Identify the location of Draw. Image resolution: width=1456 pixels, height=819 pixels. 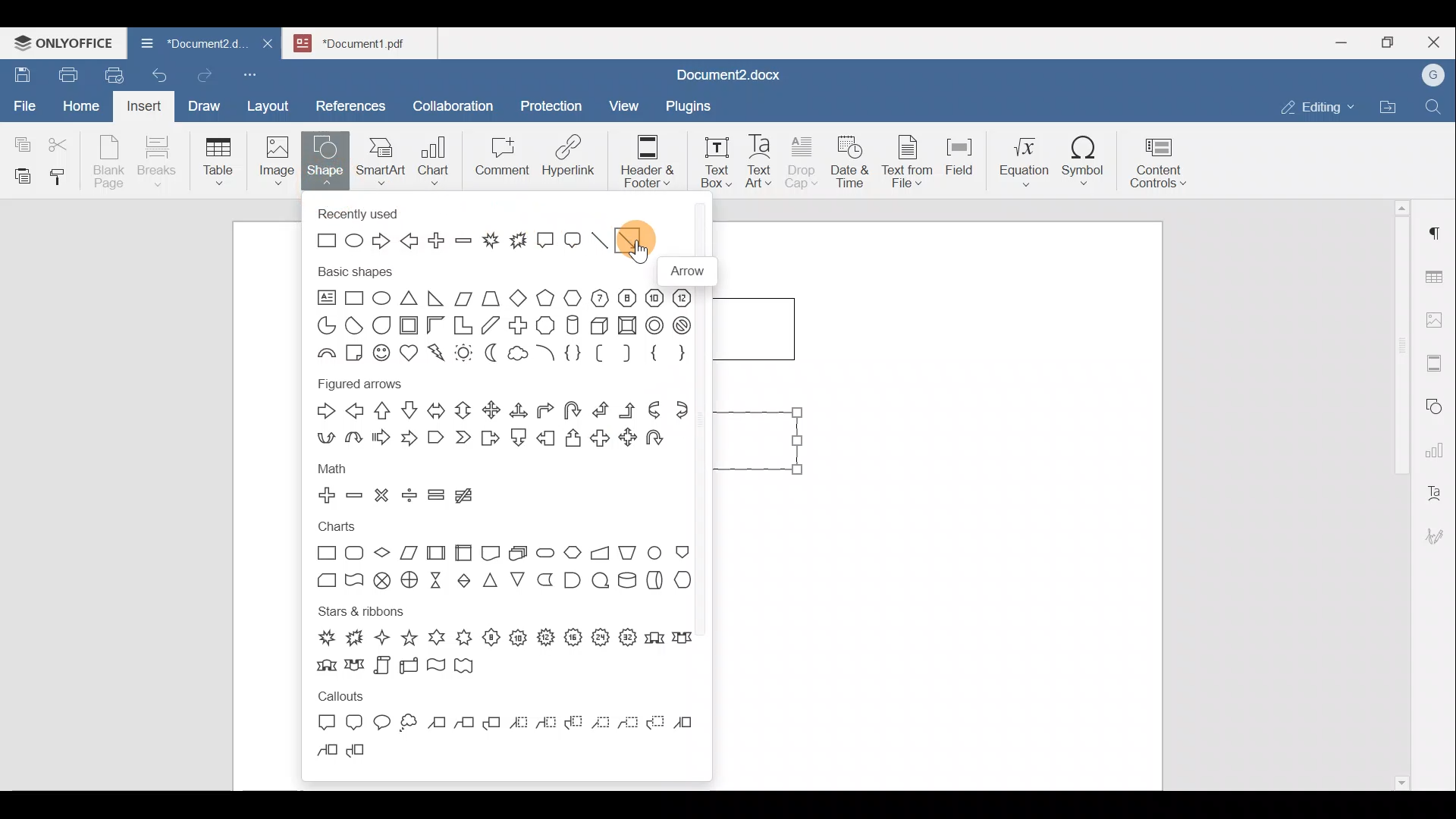
(202, 102).